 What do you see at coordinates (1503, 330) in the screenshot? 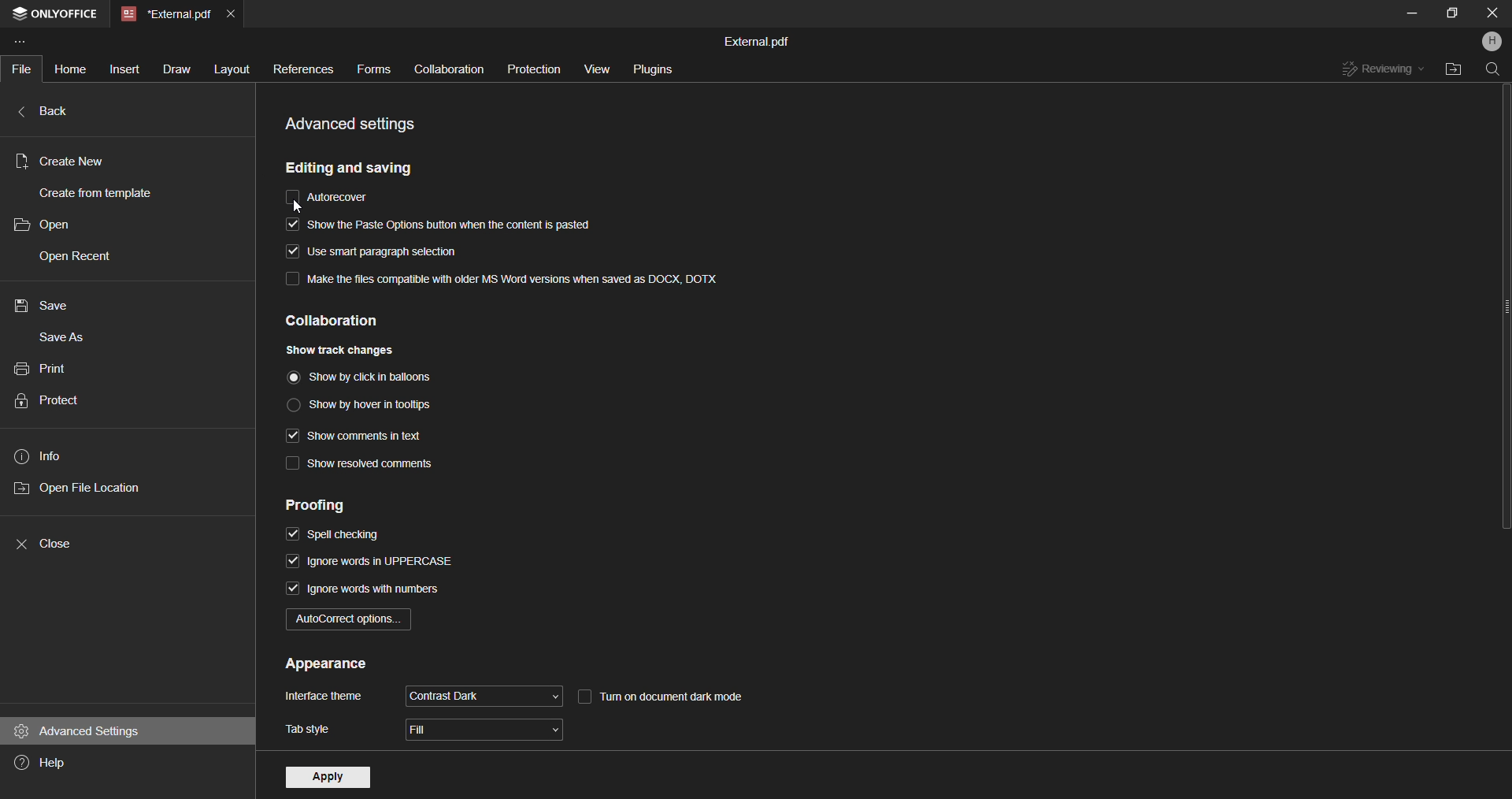
I see `Scroll Bar` at bounding box center [1503, 330].